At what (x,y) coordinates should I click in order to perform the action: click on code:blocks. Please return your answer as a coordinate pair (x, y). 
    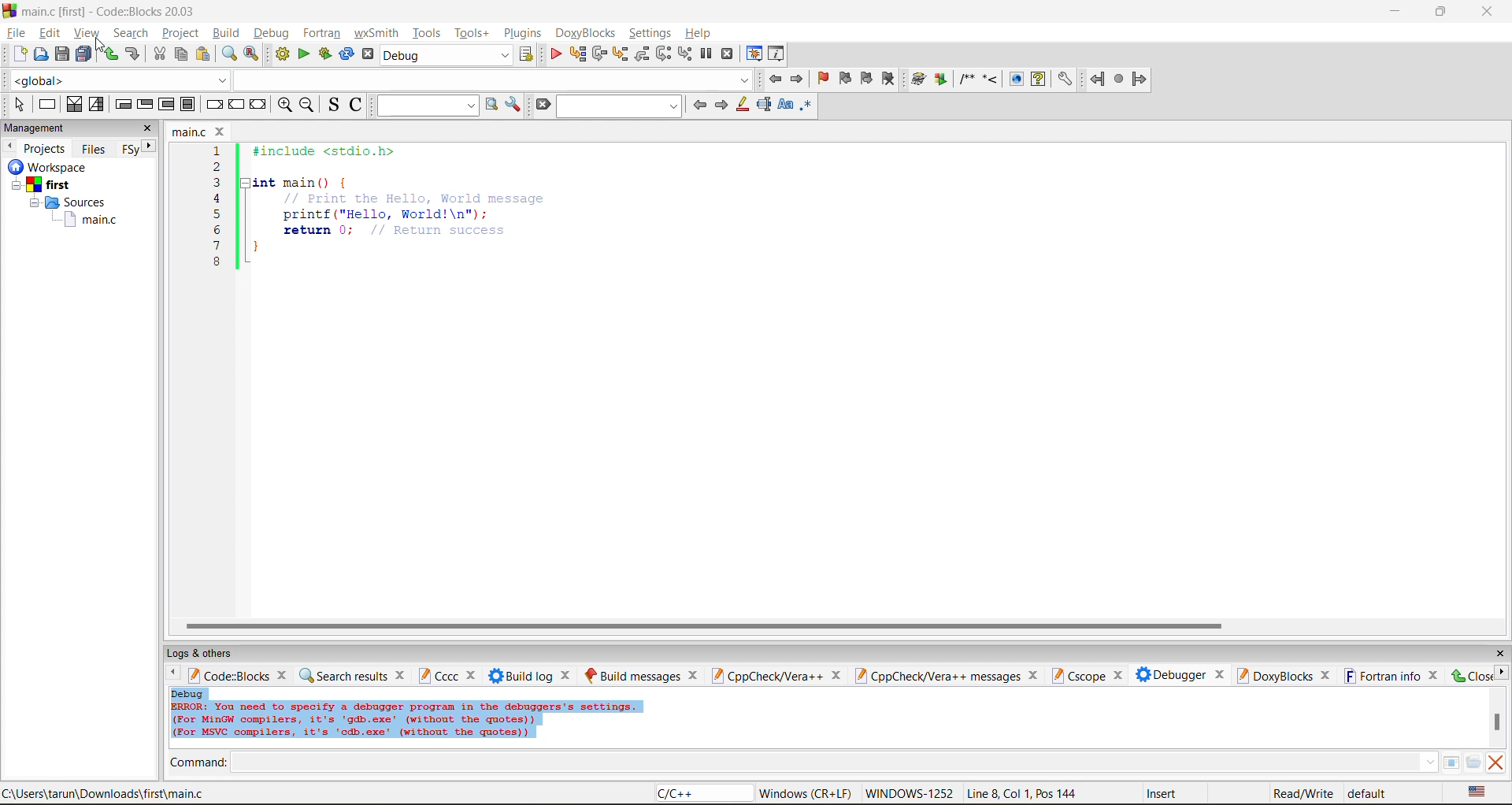
    Looking at the image, I should click on (238, 675).